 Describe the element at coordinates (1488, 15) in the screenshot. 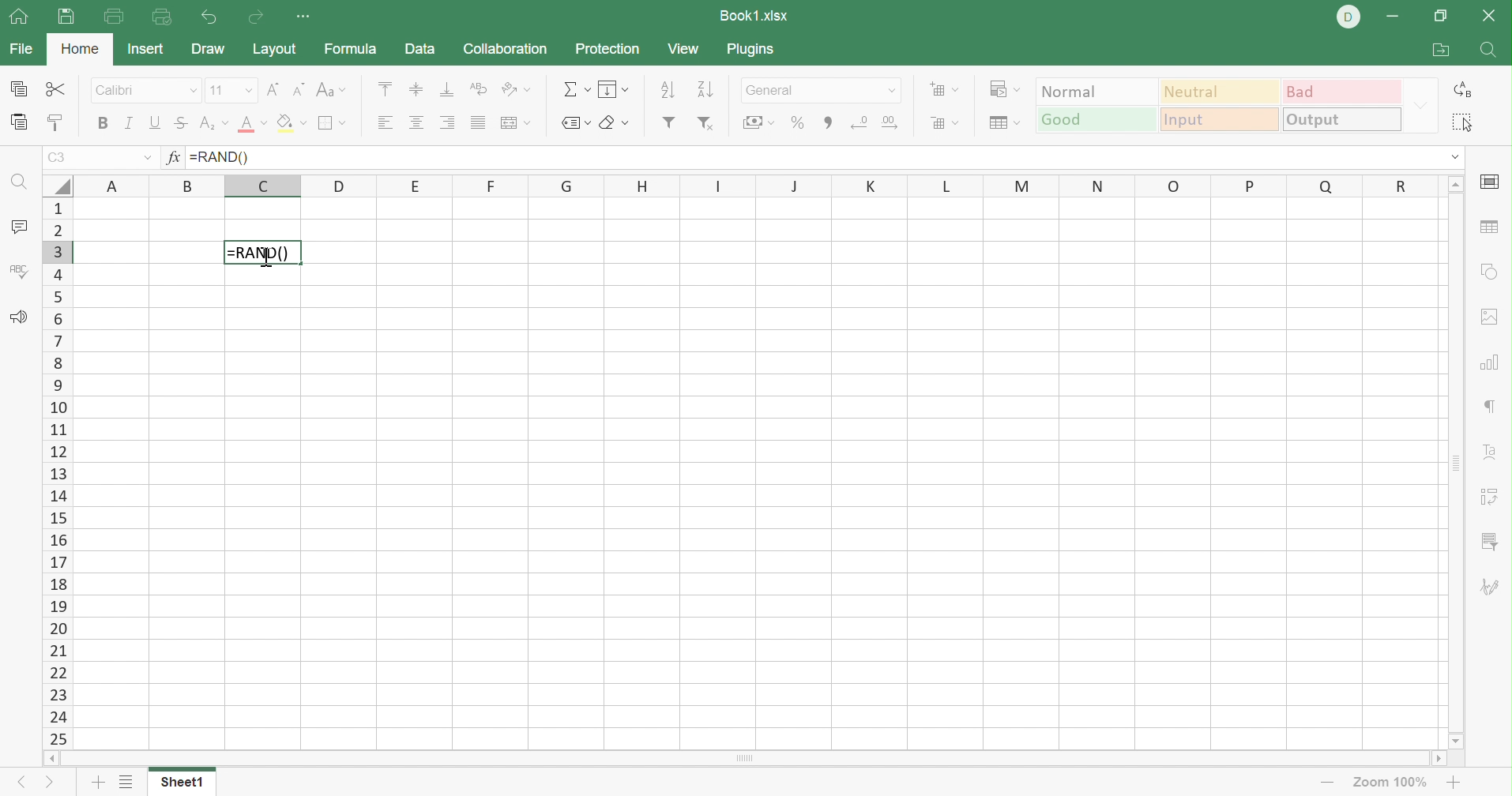

I see `Close` at that location.